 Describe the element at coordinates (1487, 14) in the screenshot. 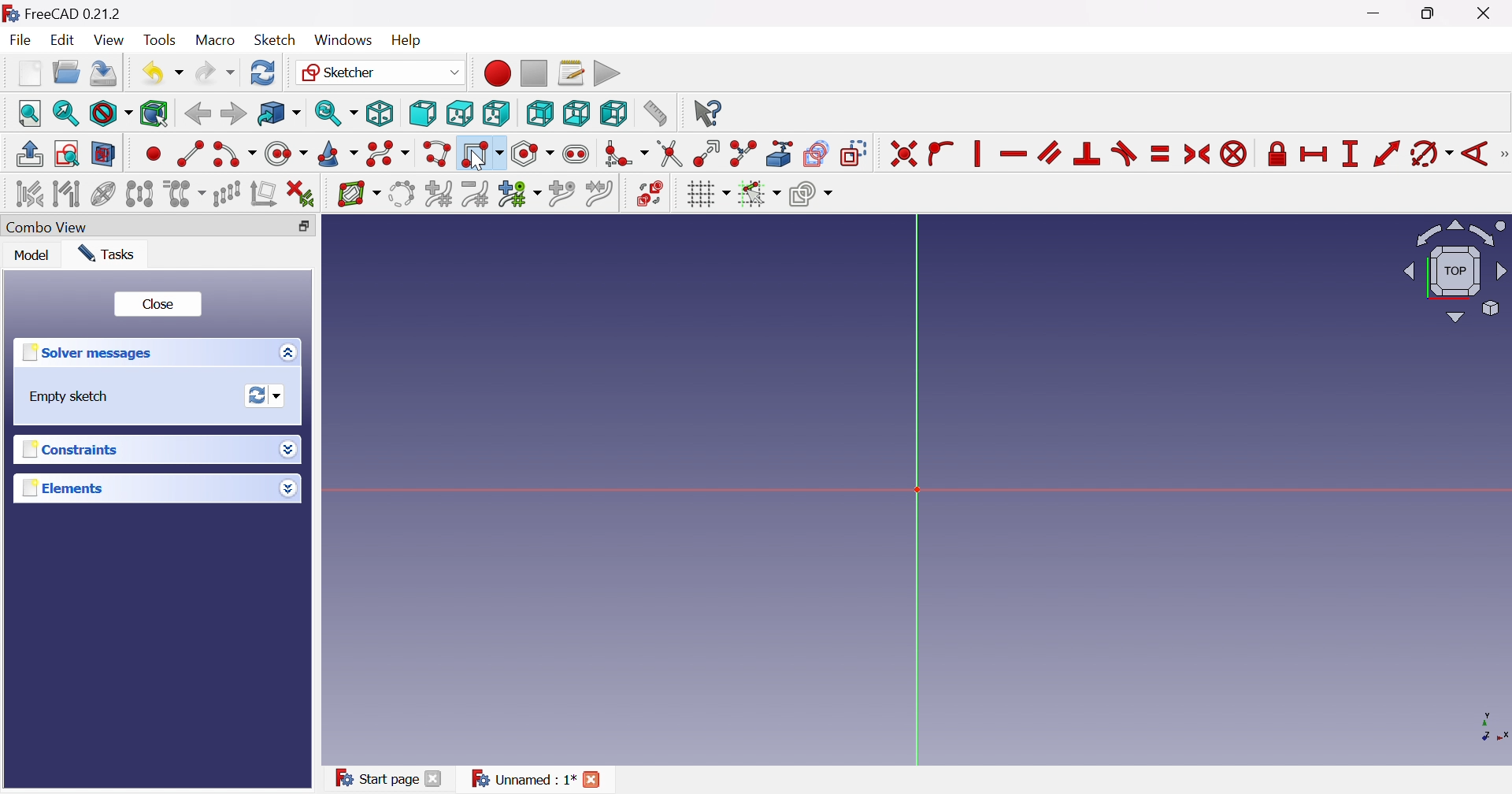

I see `Close` at that location.